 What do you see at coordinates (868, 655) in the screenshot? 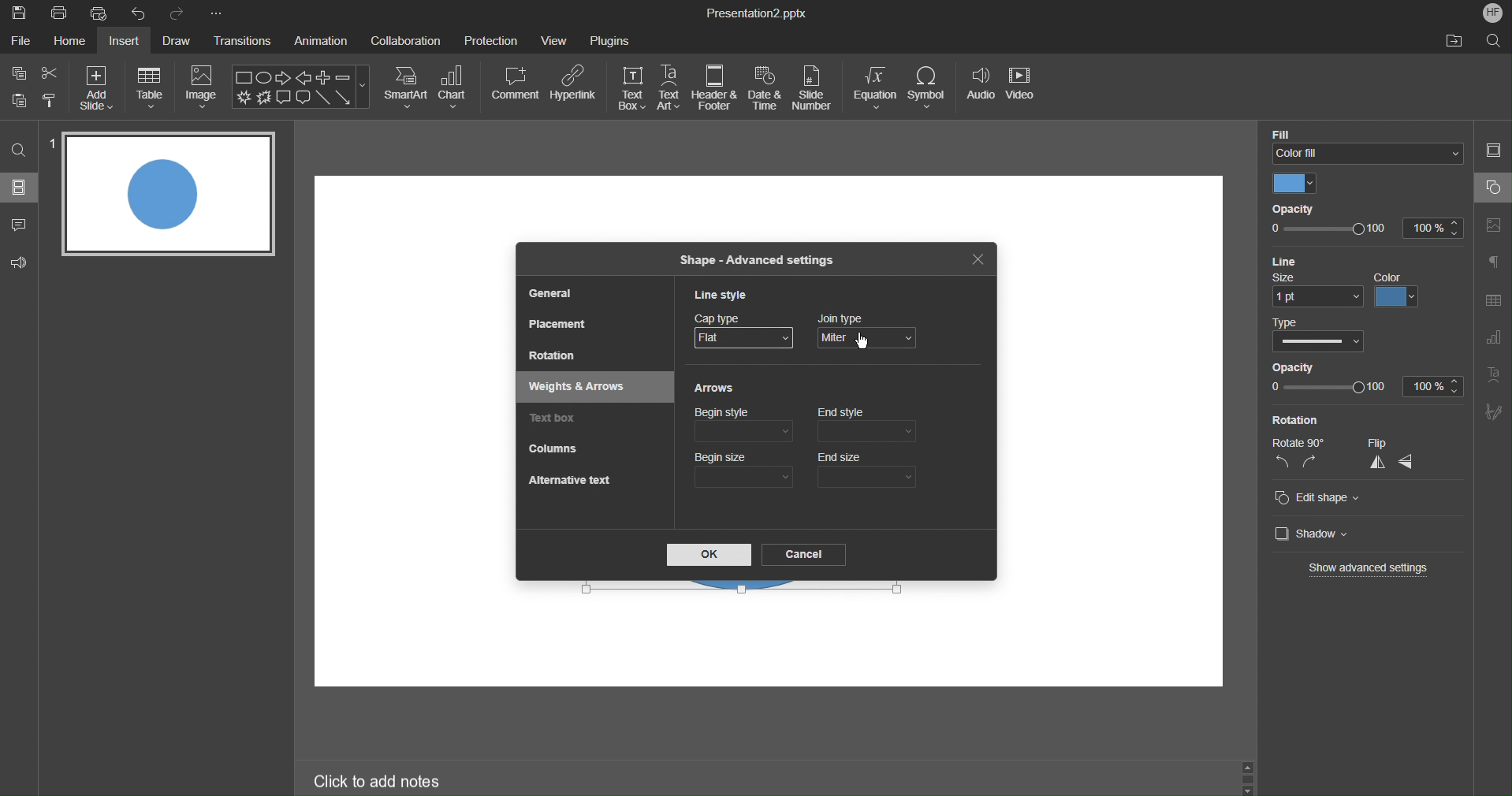
I see `workspace` at bounding box center [868, 655].